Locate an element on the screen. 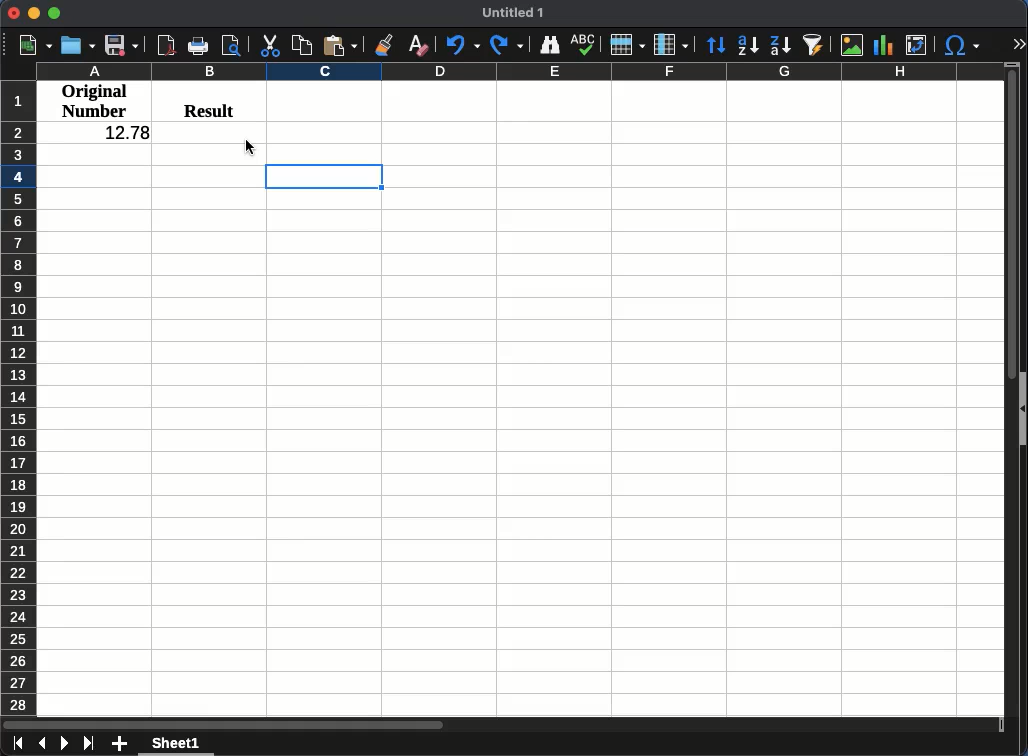 The width and height of the screenshot is (1028, 756). ascending is located at coordinates (748, 45).